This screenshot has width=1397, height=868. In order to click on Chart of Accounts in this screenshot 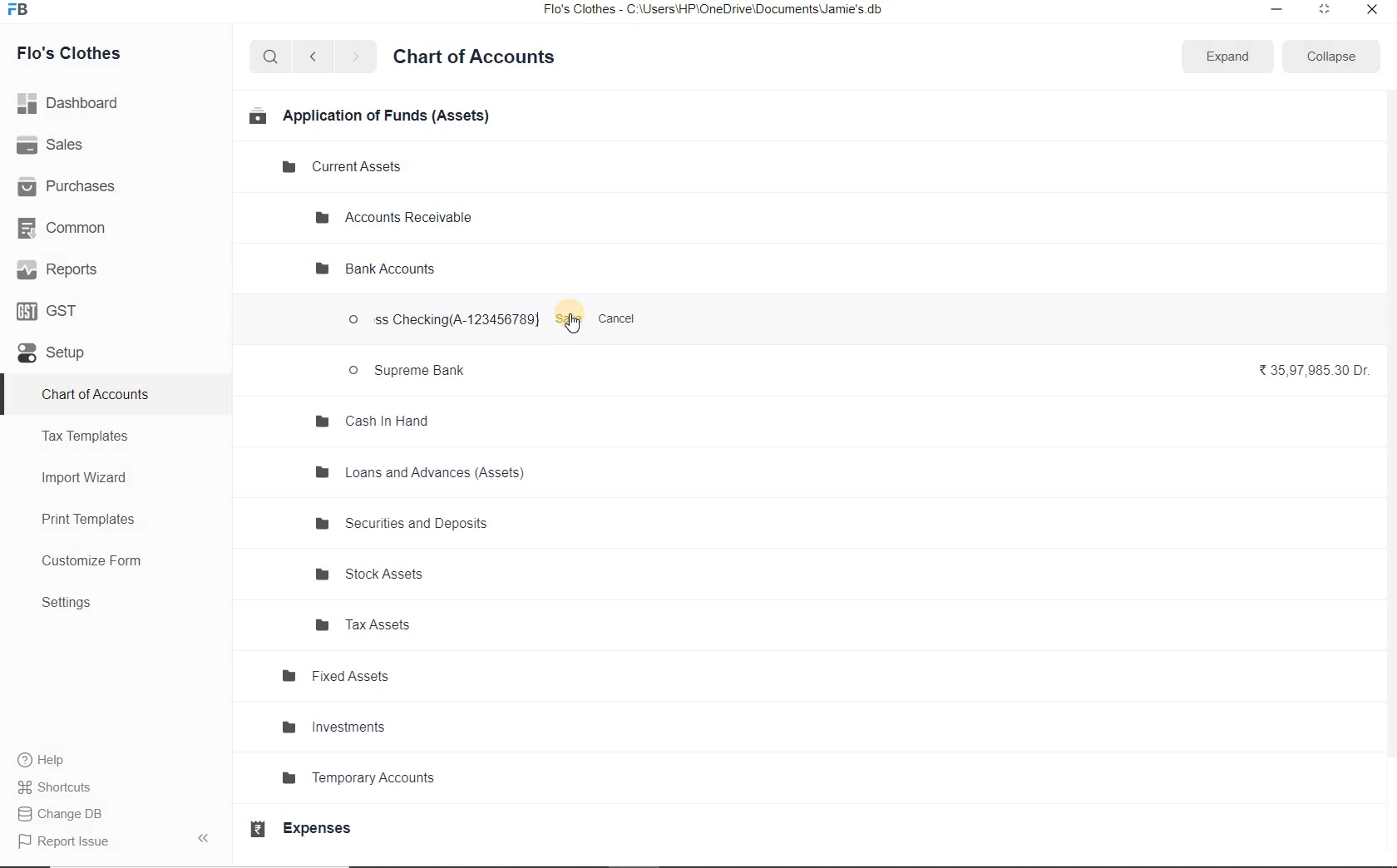, I will do `click(483, 55)`.